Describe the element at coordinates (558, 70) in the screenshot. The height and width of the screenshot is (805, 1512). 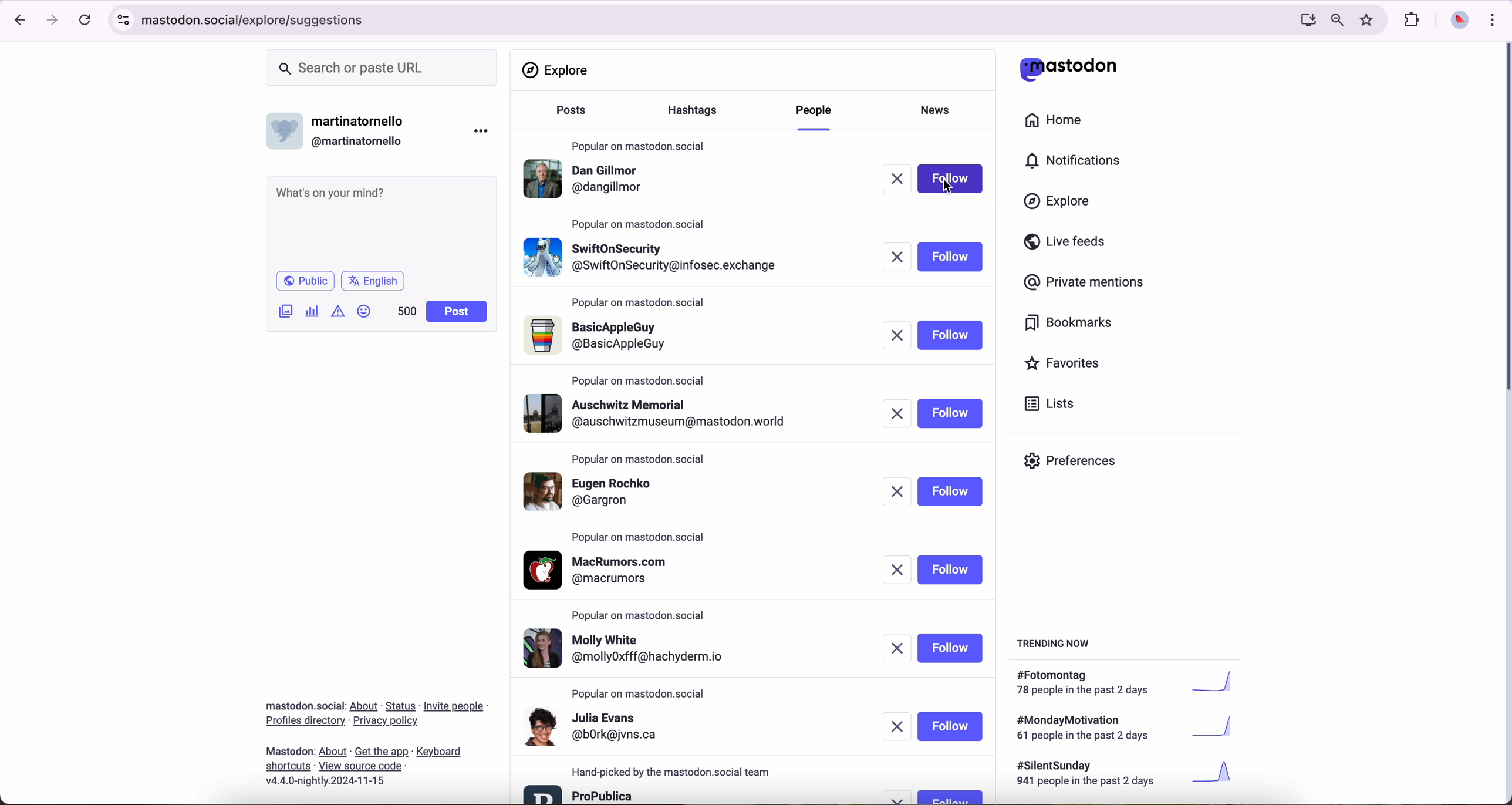
I see `explore section` at that location.